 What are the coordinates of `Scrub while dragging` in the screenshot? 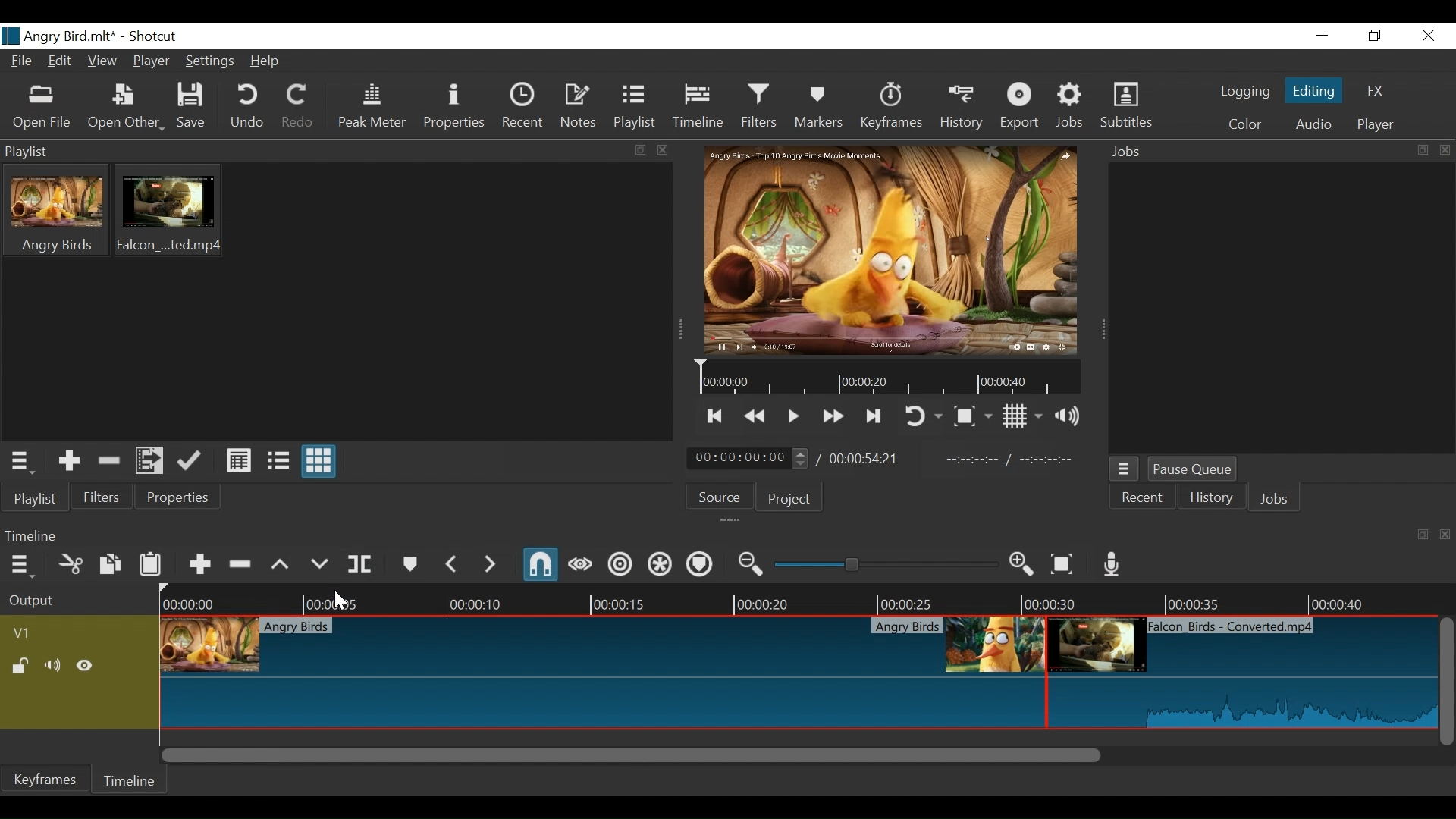 It's located at (580, 565).